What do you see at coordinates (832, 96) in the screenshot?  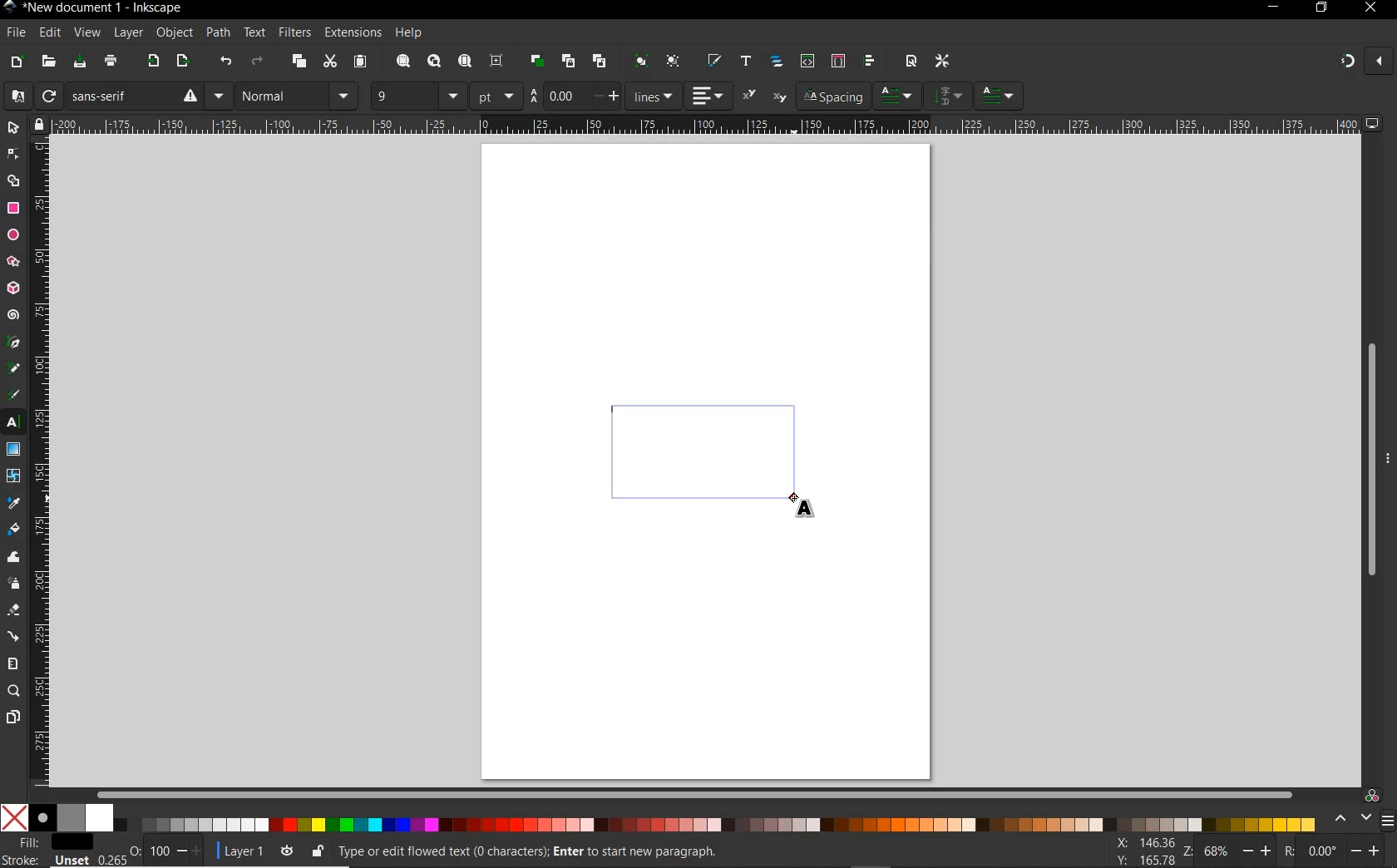 I see `Spacing` at bounding box center [832, 96].